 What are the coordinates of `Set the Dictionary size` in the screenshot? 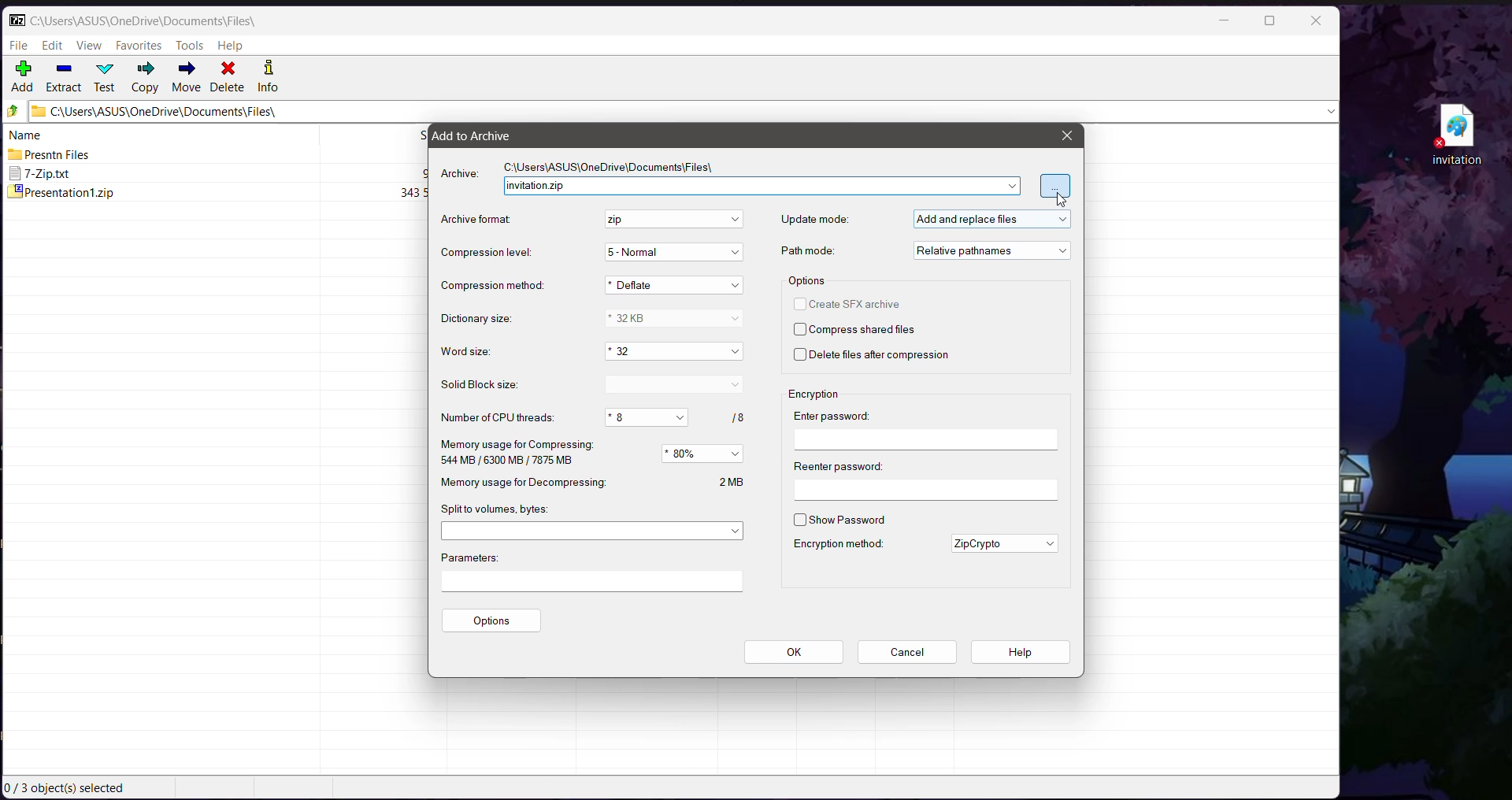 It's located at (674, 317).